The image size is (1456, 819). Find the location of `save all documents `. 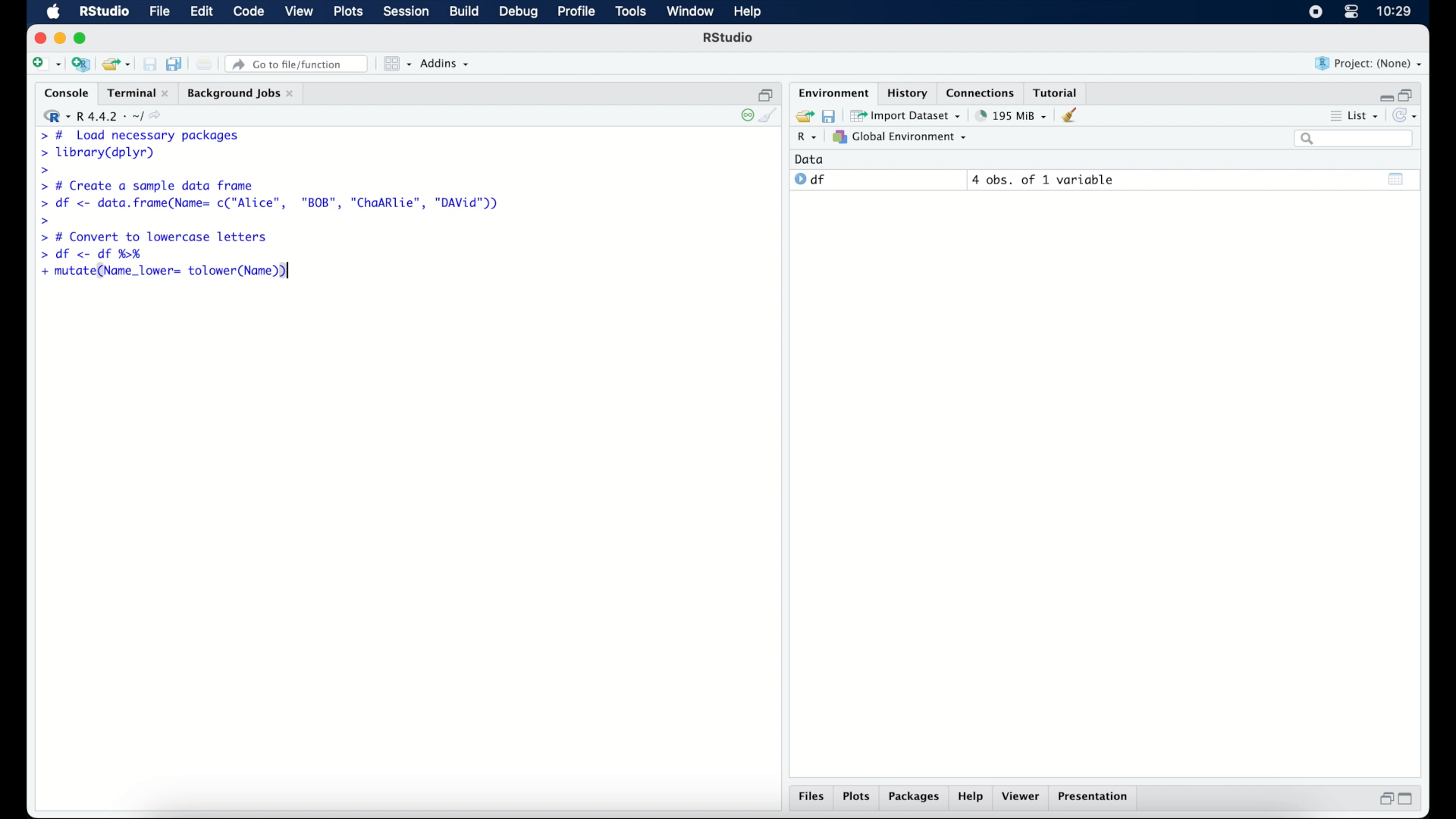

save all documents  is located at coordinates (176, 63).